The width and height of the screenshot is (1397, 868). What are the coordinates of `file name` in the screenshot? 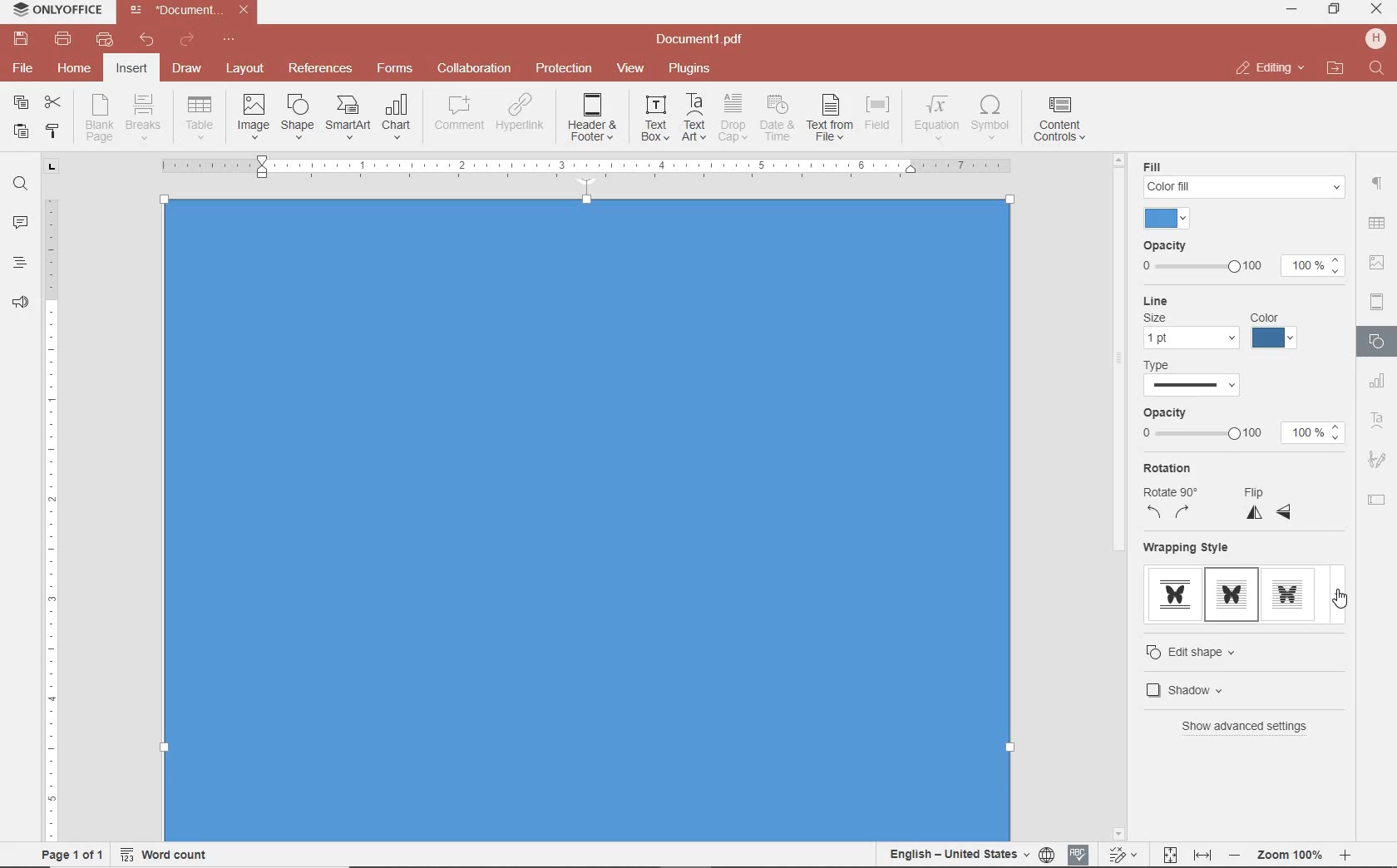 It's located at (704, 40).